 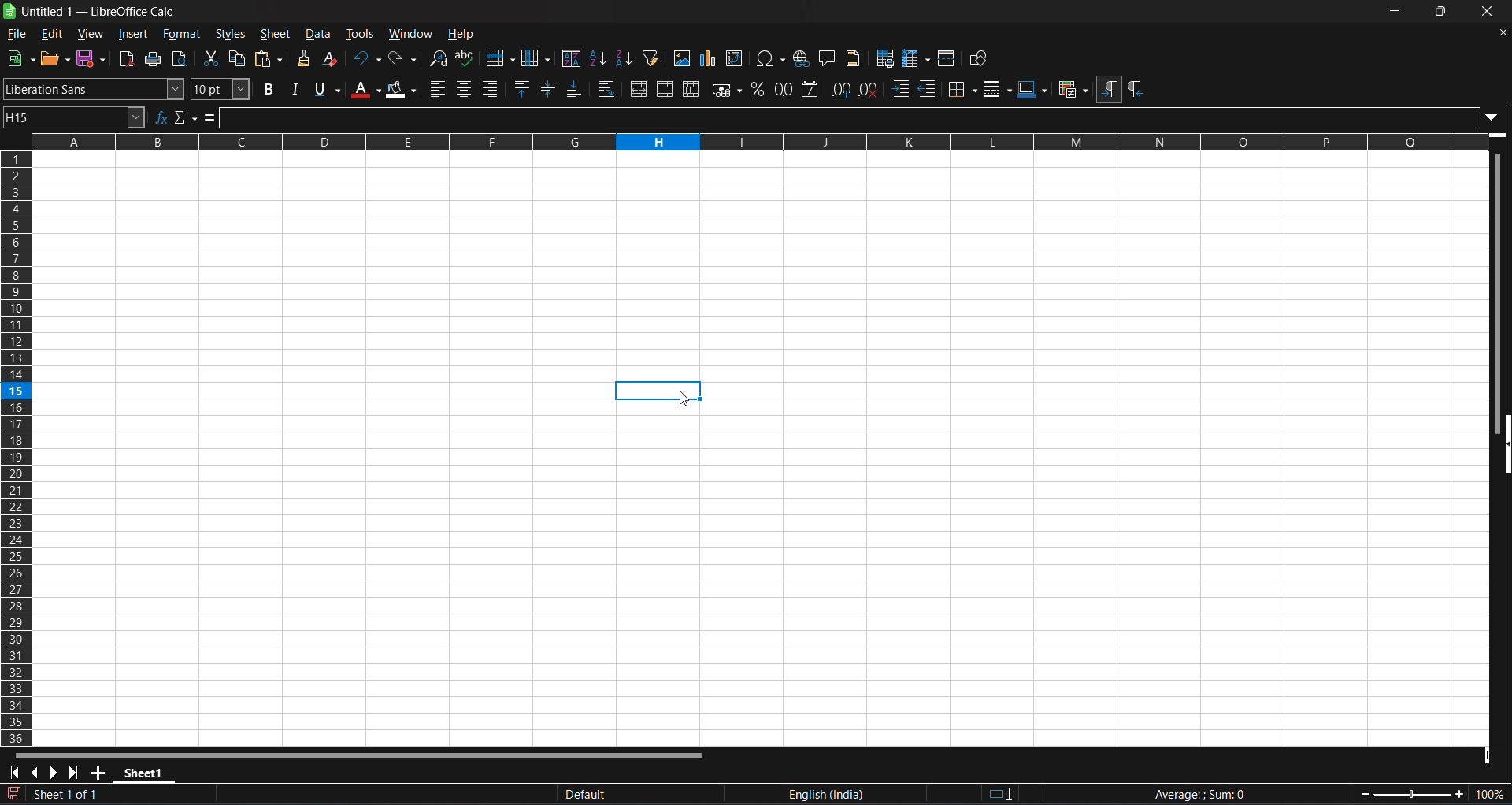 I want to click on auto filter, so click(x=651, y=59).